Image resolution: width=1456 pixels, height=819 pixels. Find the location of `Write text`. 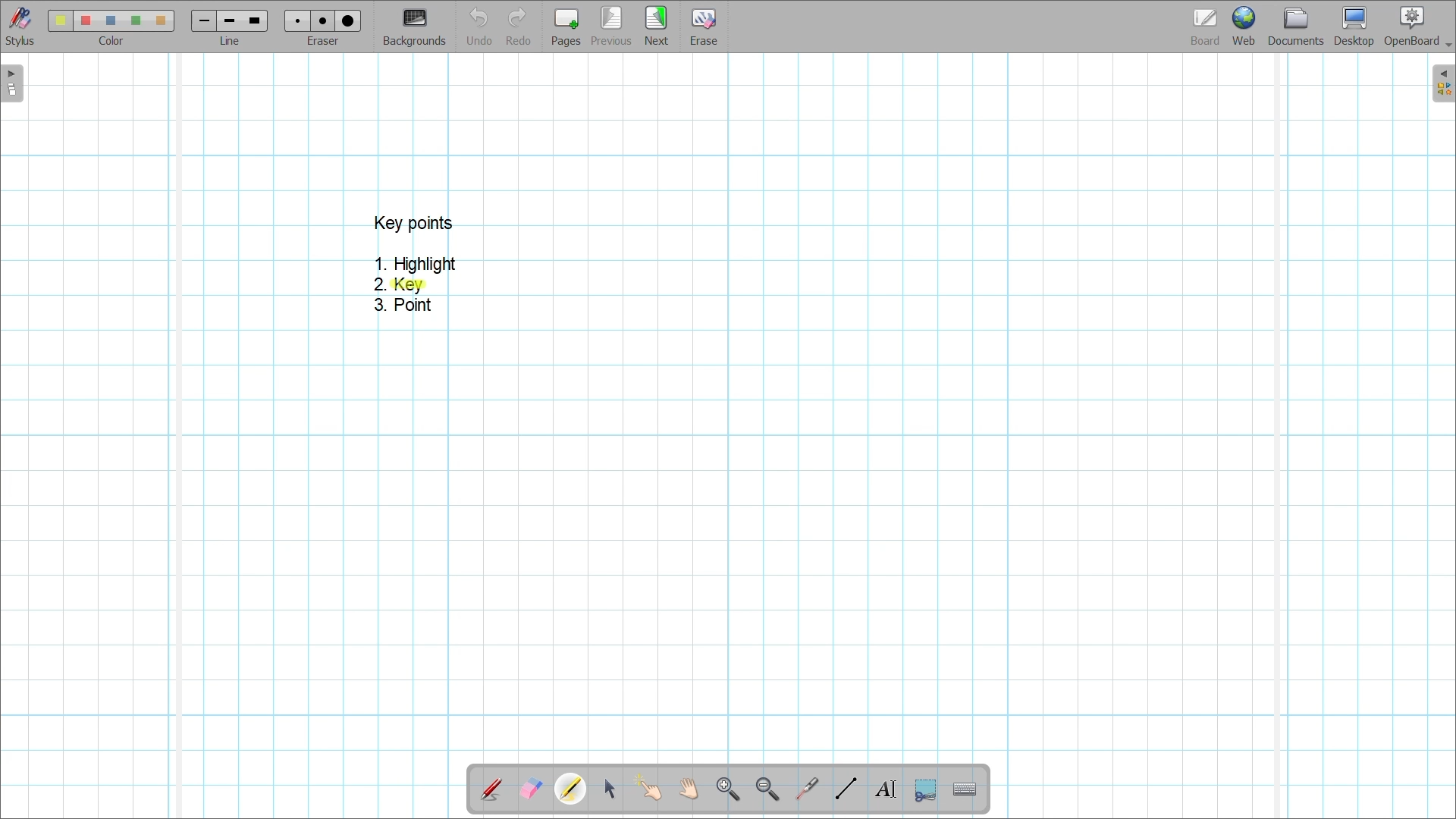

Write text is located at coordinates (885, 789).